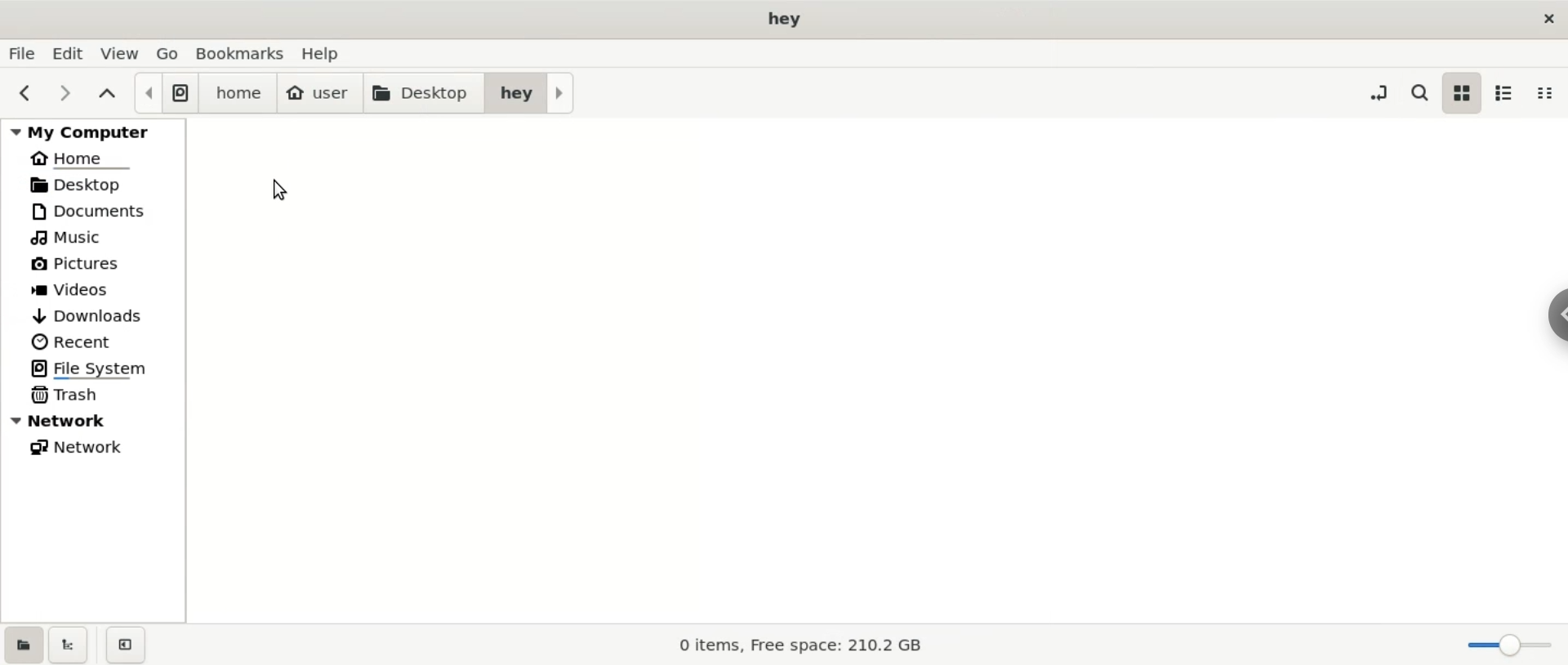 This screenshot has height=665, width=1568. Describe the element at coordinates (242, 53) in the screenshot. I see `bookmark` at that location.